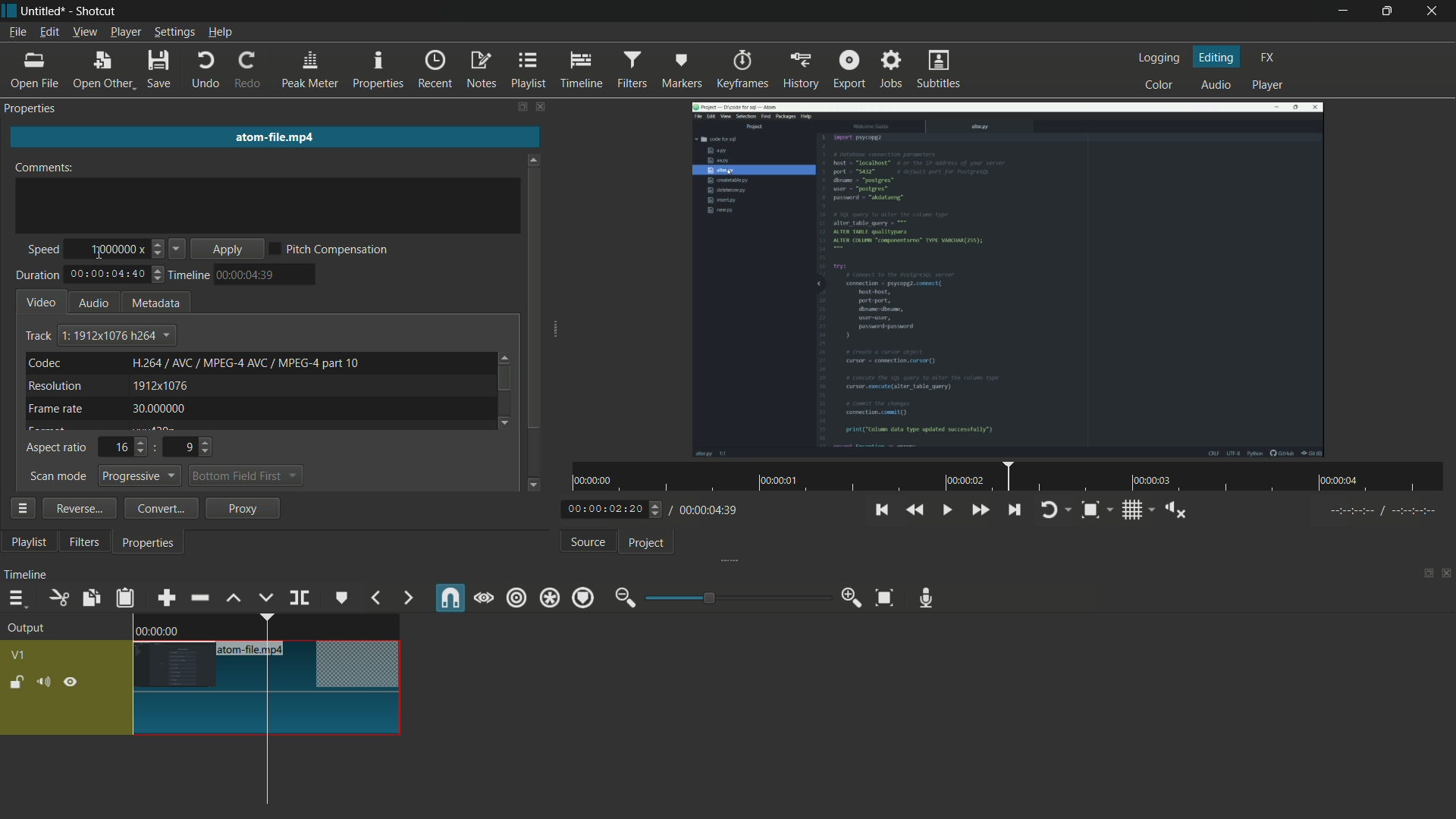 Image resolution: width=1456 pixels, height=819 pixels. Describe the element at coordinates (221, 32) in the screenshot. I see `help menu` at that location.